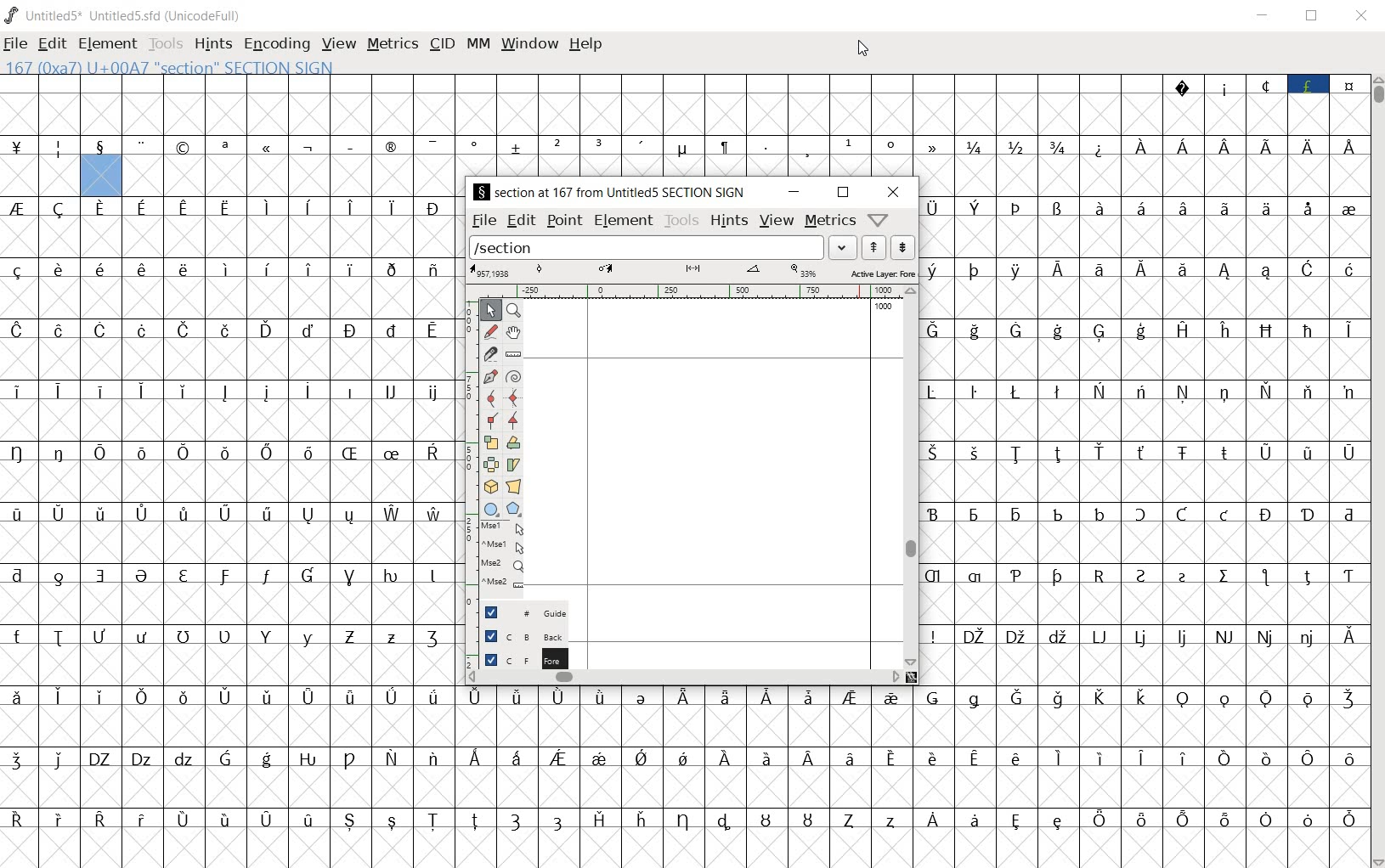  What do you see at coordinates (231, 421) in the screenshot?
I see `empty cells` at bounding box center [231, 421].